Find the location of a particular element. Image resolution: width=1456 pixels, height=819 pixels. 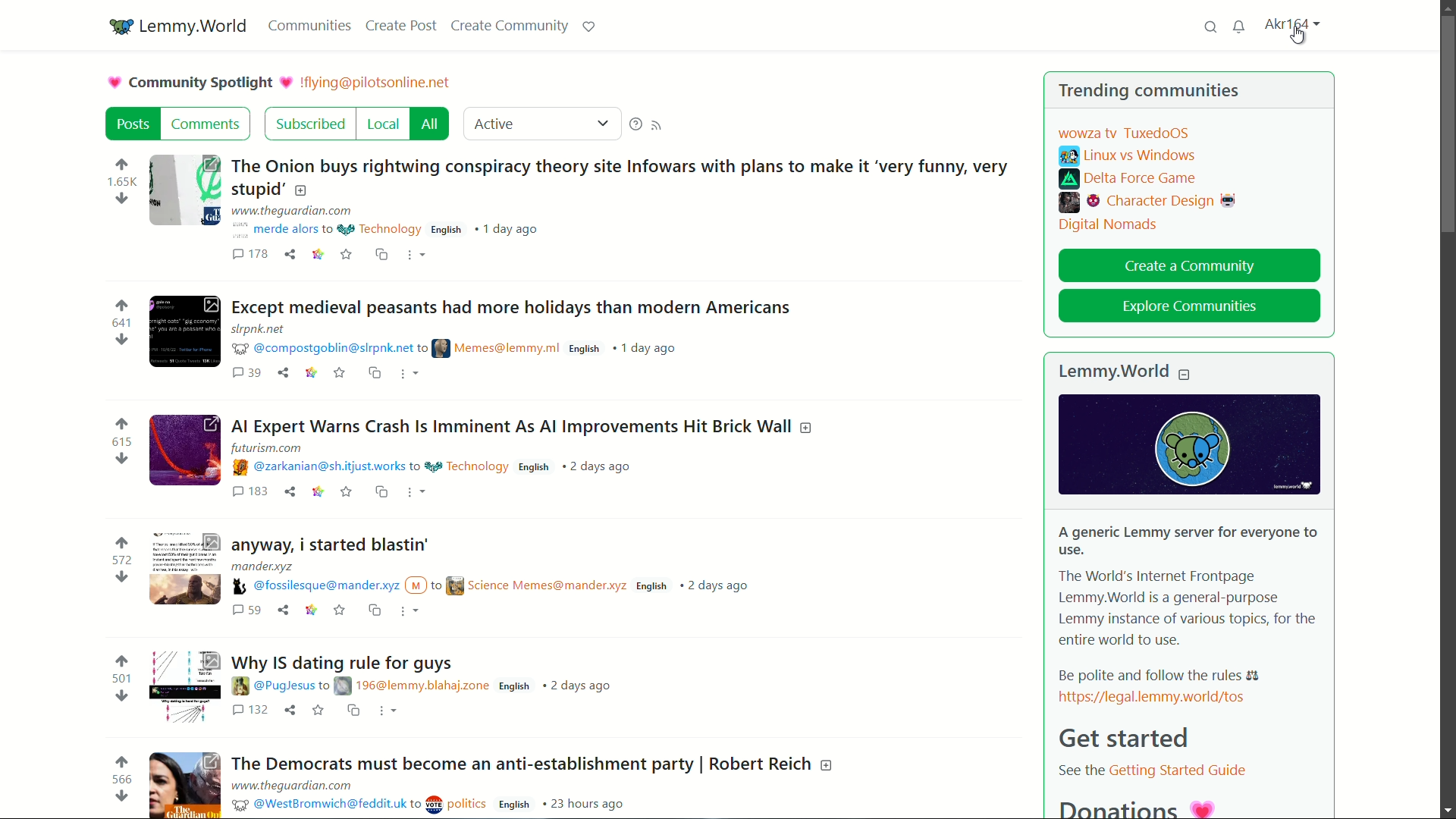

comments is located at coordinates (246, 611).